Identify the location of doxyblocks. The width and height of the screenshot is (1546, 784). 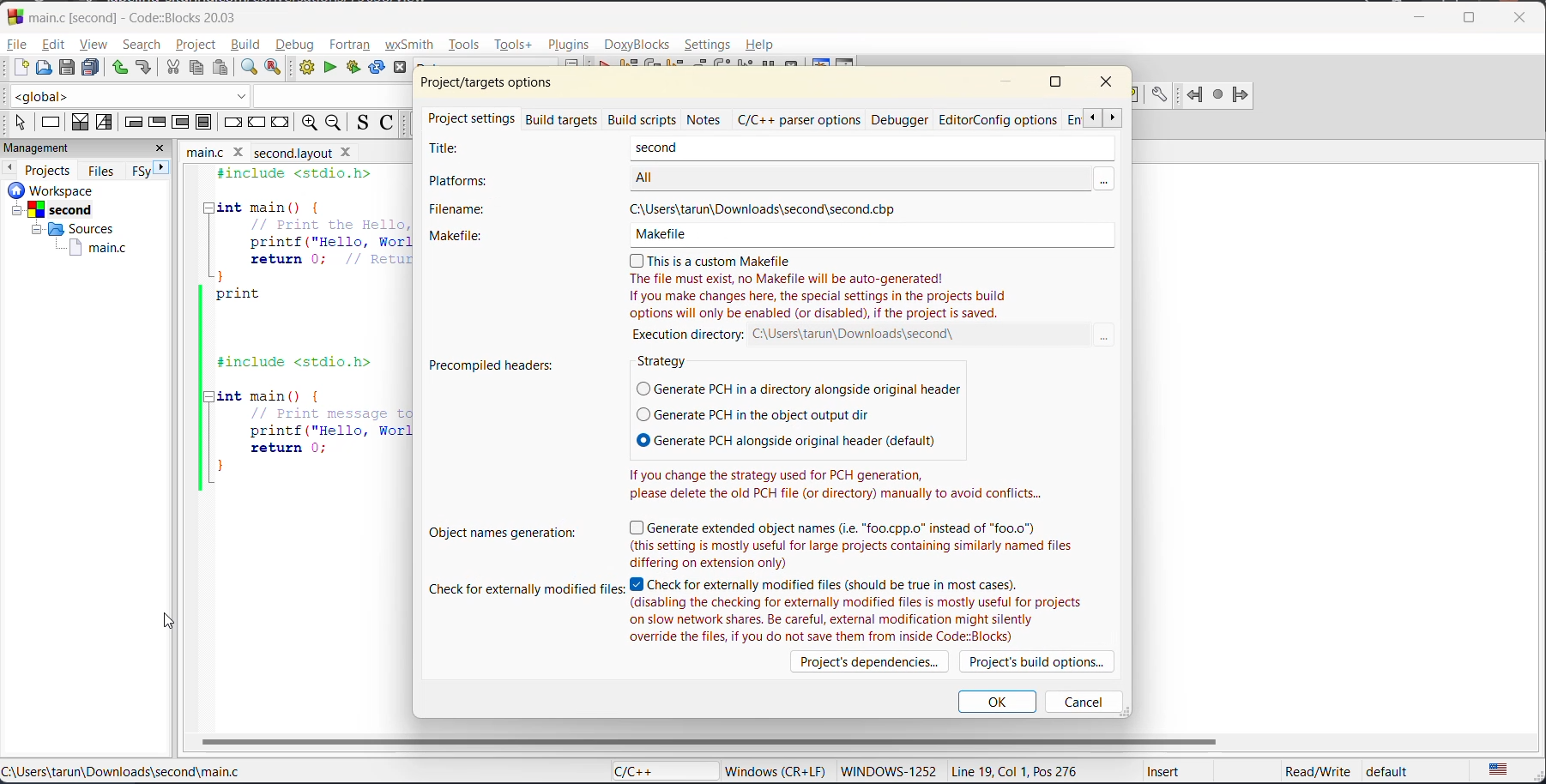
(1159, 98).